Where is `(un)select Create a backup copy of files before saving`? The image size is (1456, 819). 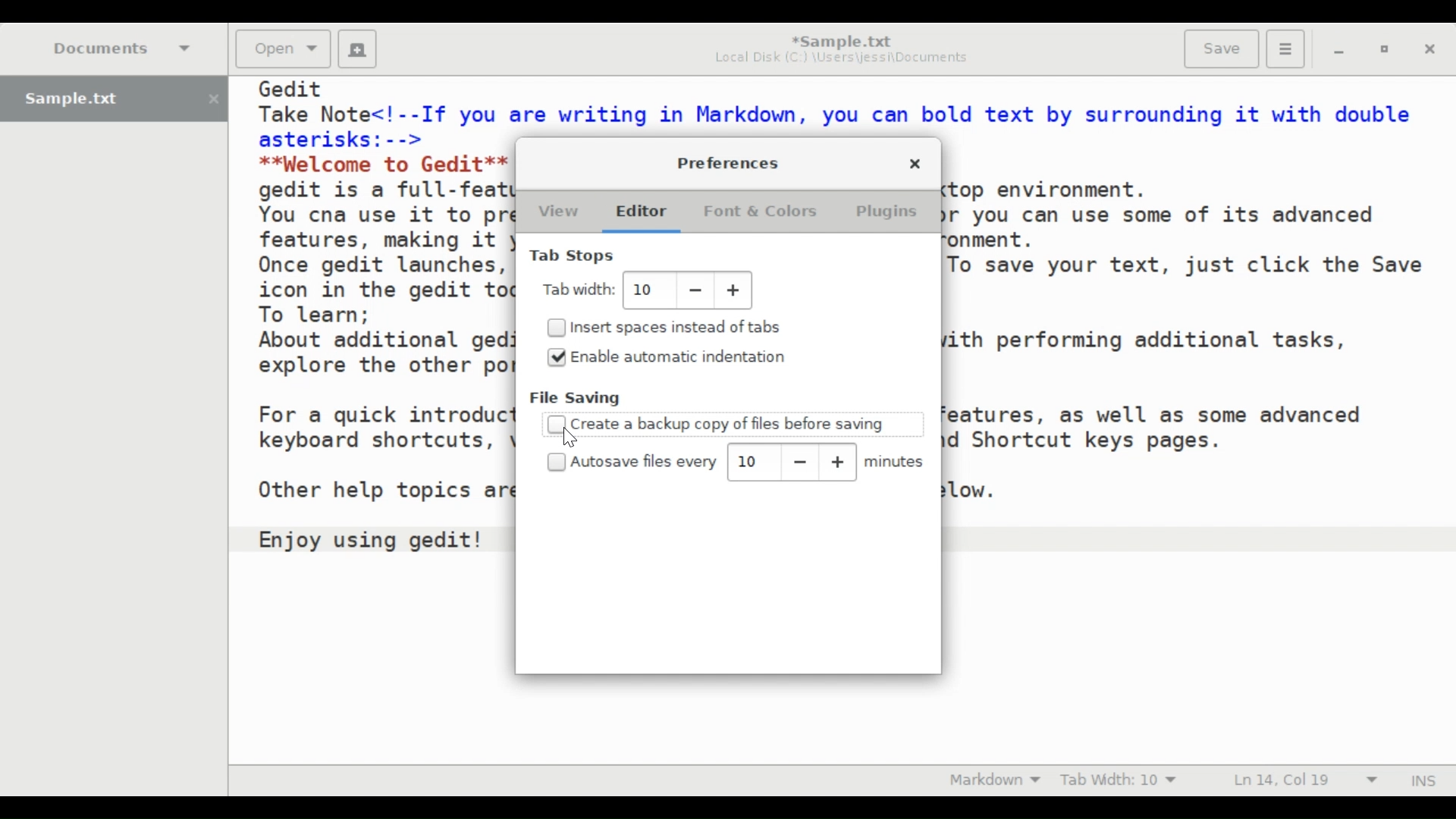
(un)select Create a backup copy of files before saving is located at coordinates (717, 423).